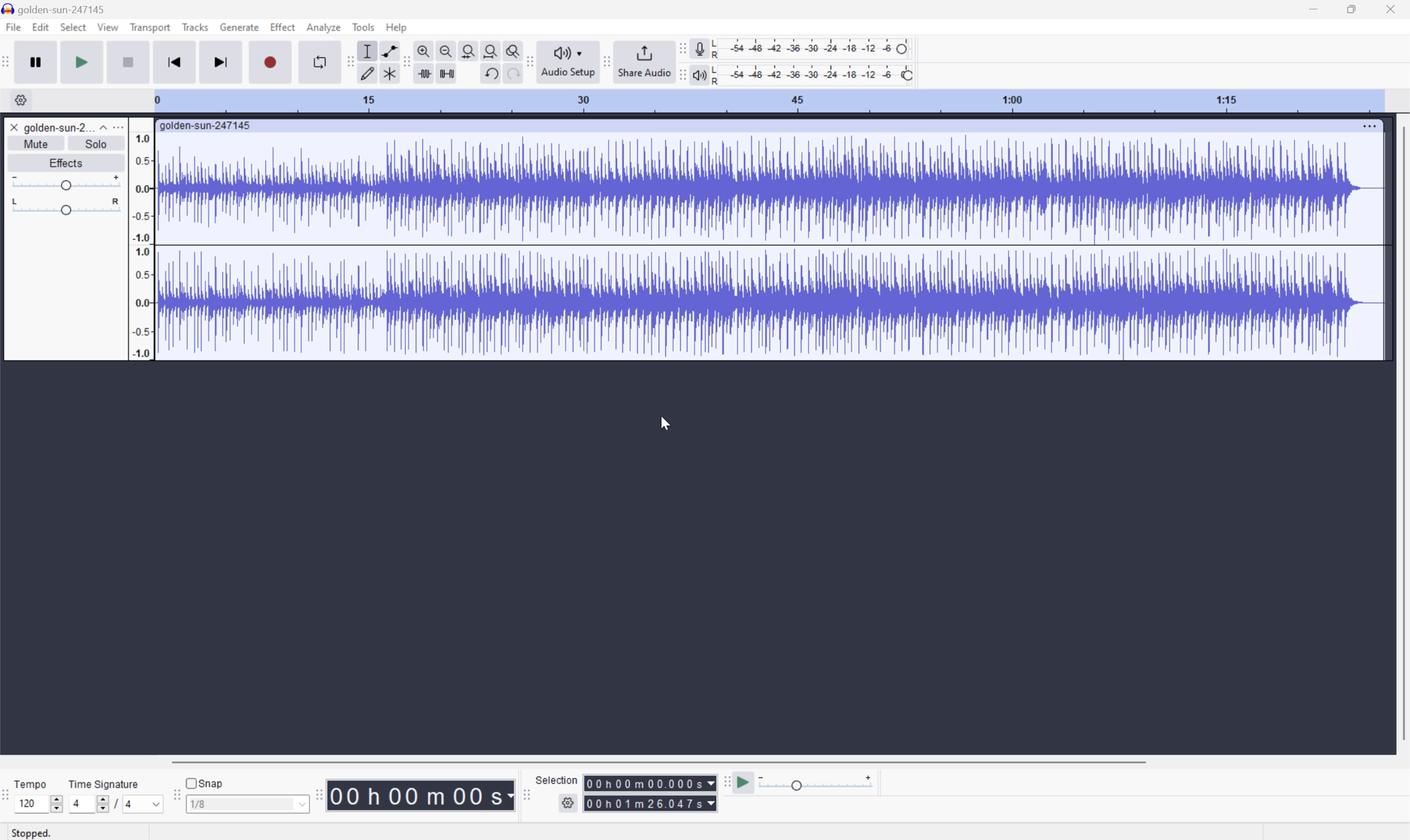 The width and height of the screenshot is (1410, 840). Describe the element at coordinates (814, 74) in the screenshot. I see `Playback level: 100%` at that location.